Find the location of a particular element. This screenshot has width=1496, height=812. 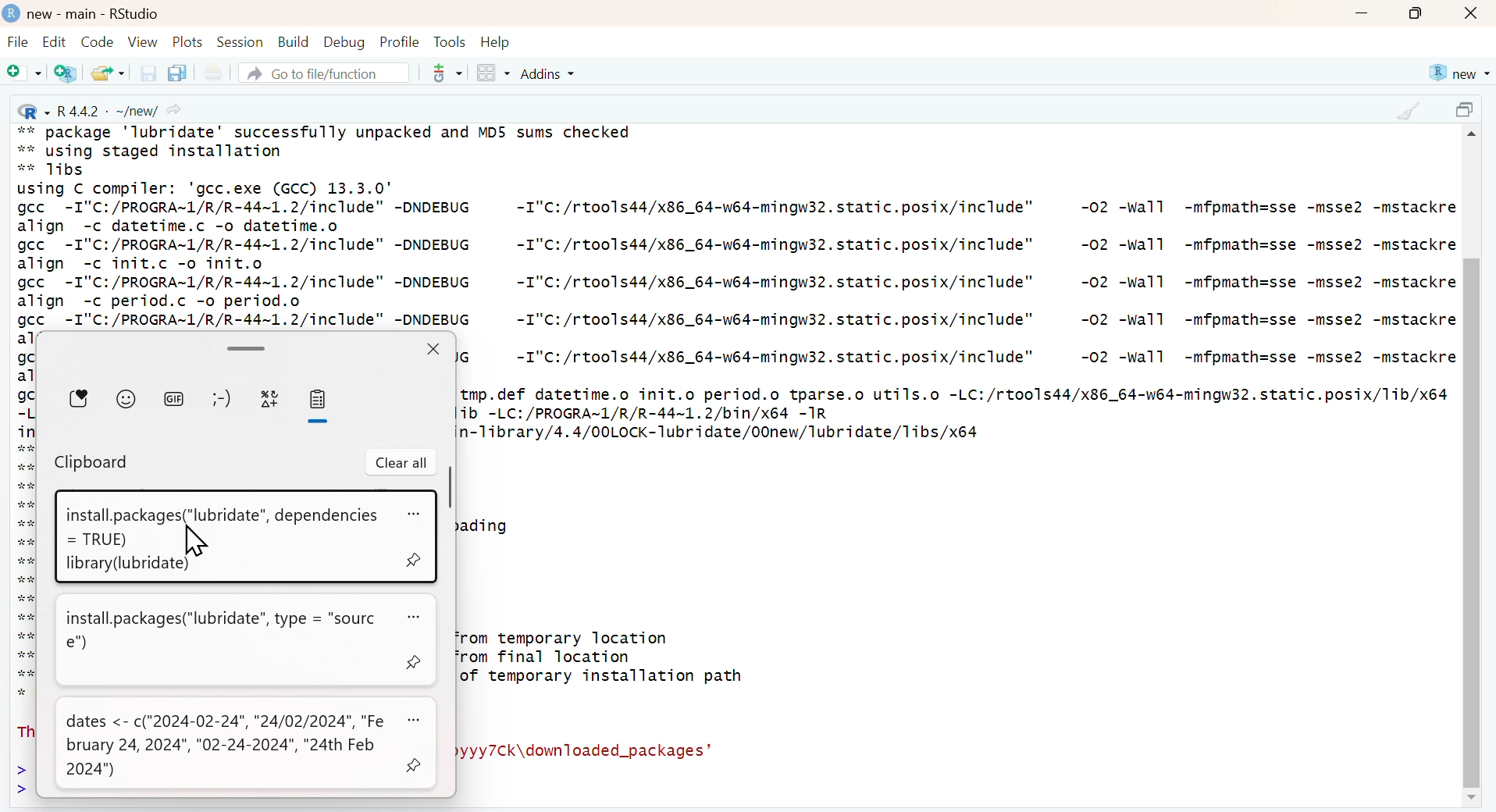

** libs is located at coordinates (59, 170).